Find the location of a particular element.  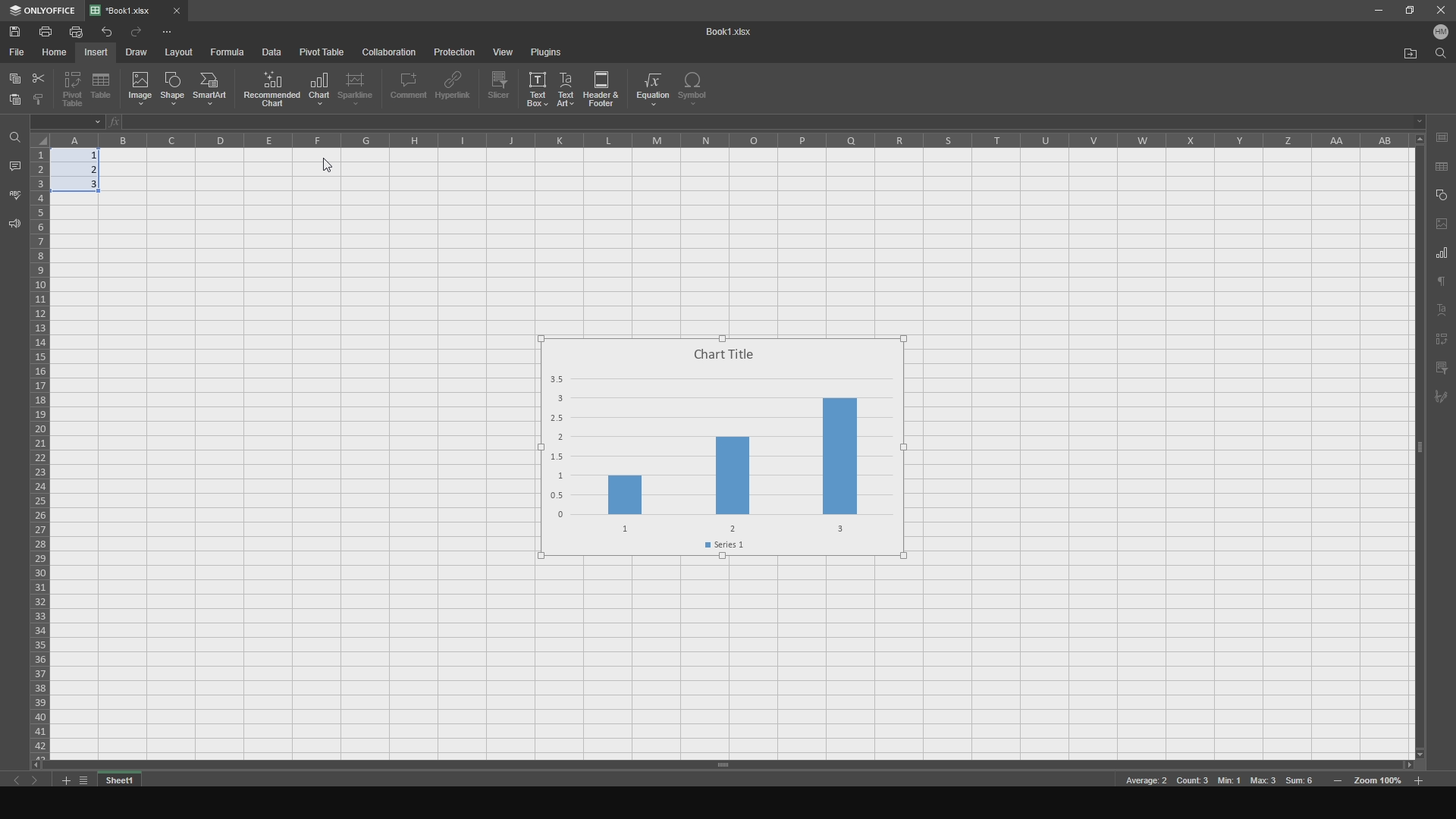

chart is located at coordinates (1442, 255).